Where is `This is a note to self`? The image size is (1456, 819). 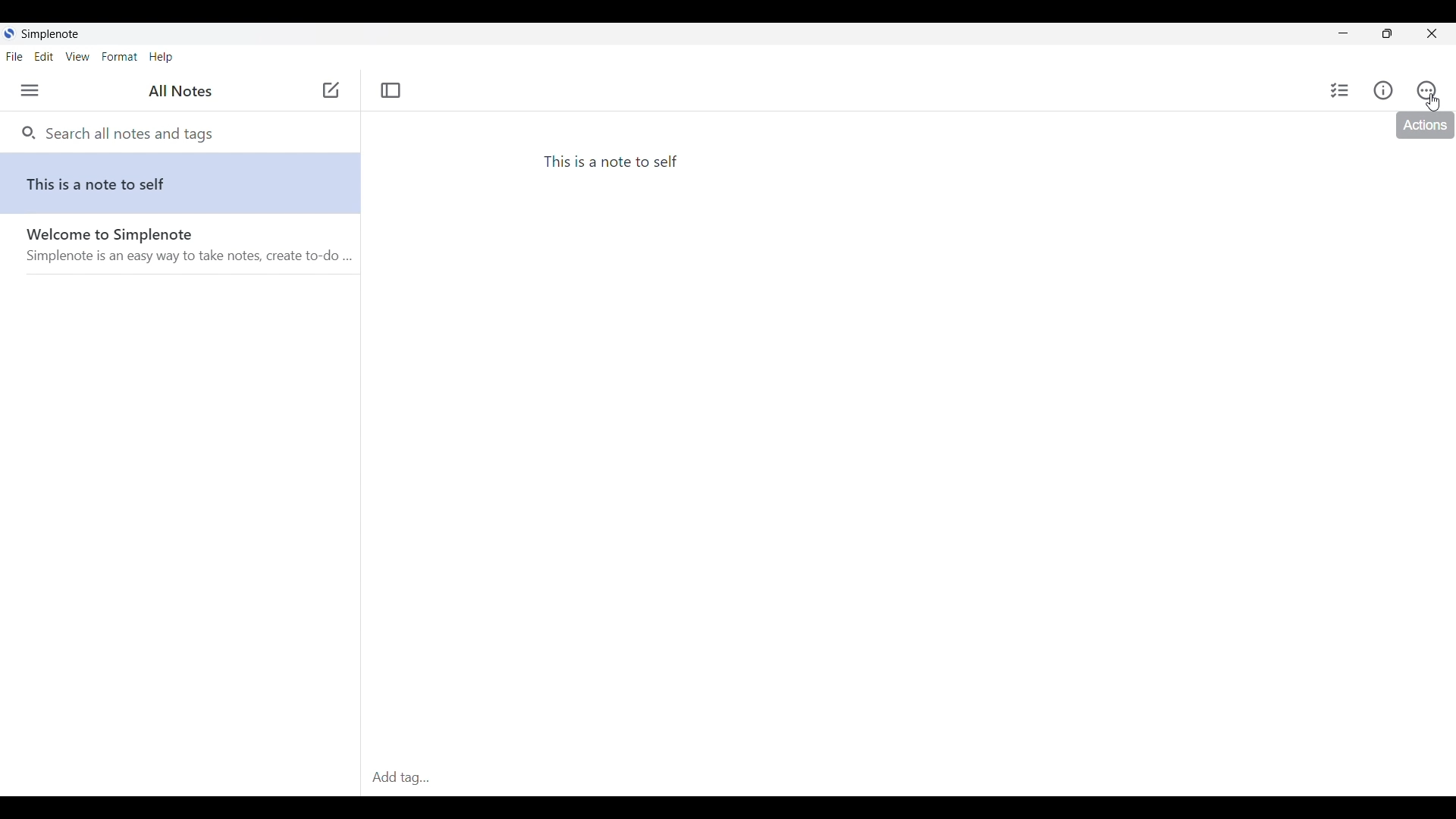
This is a note to self is located at coordinates (615, 163).